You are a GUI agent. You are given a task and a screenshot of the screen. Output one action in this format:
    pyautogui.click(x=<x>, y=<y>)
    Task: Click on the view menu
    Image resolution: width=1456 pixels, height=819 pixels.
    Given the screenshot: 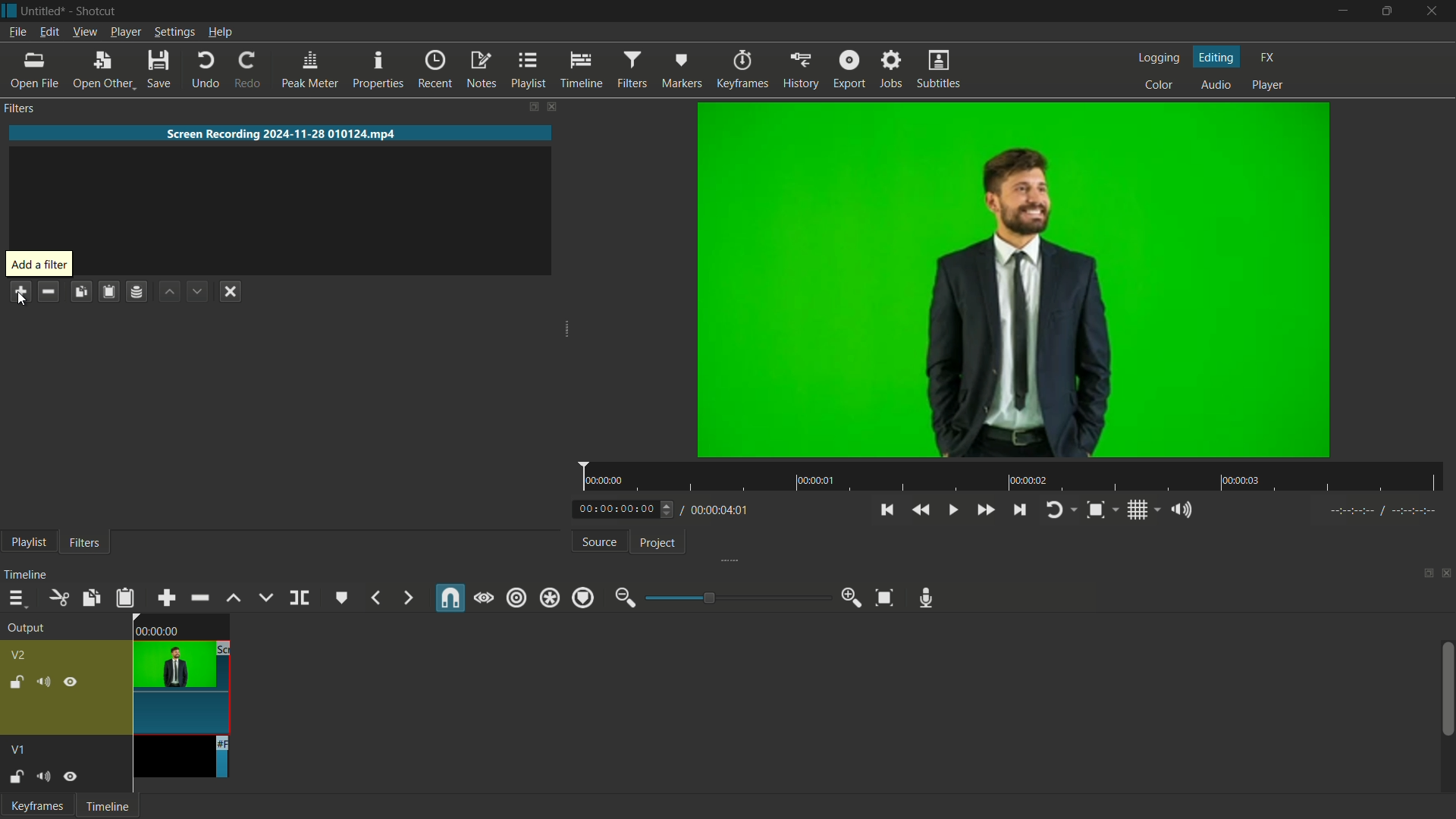 What is the action you would take?
    pyautogui.click(x=84, y=33)
    